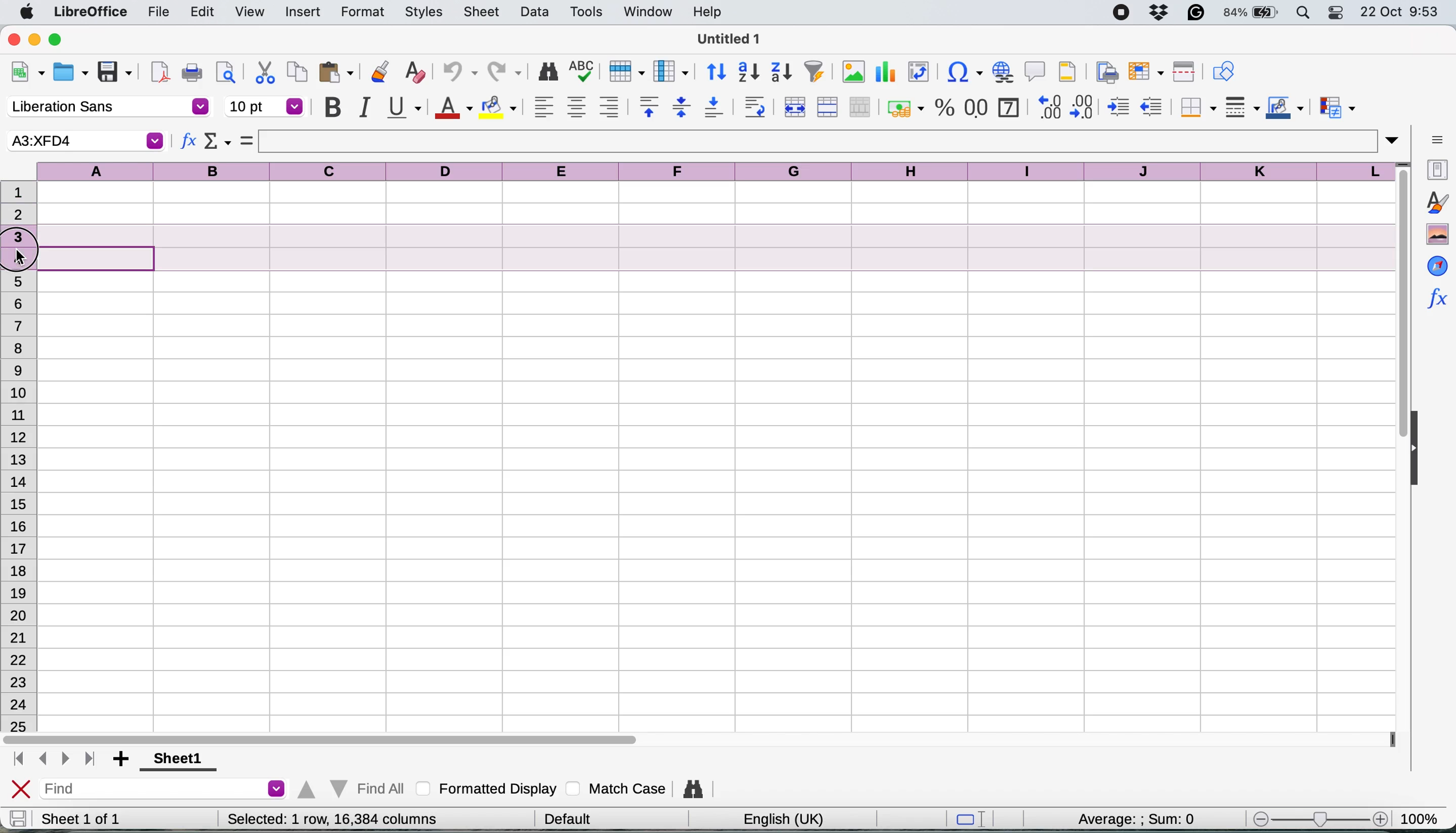 The width and height of the screenshot is (1456, 833). Describe the element at coordinates (1242, 107) in the screenshot. I see `border styles` at that location.